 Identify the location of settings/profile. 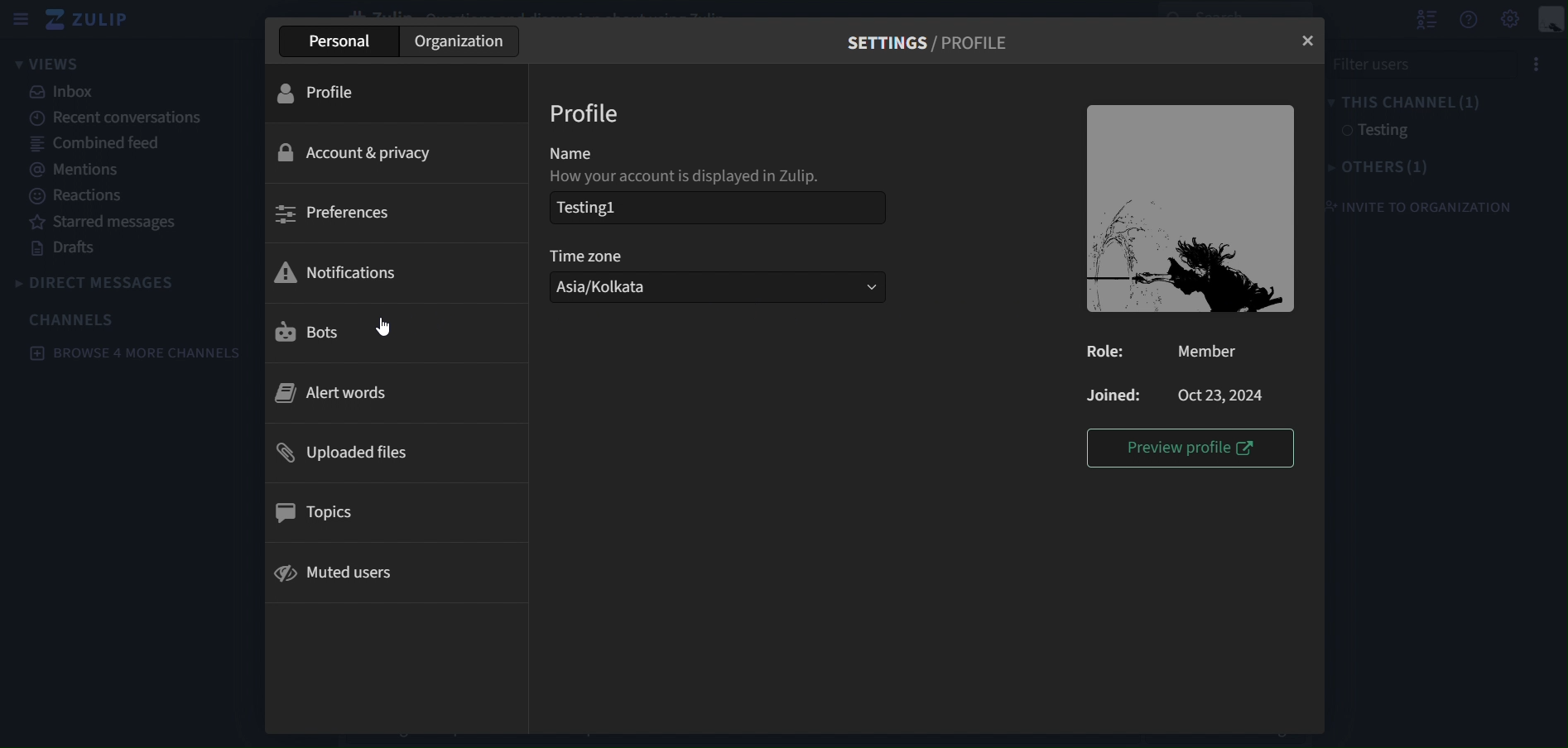
(929, 45).